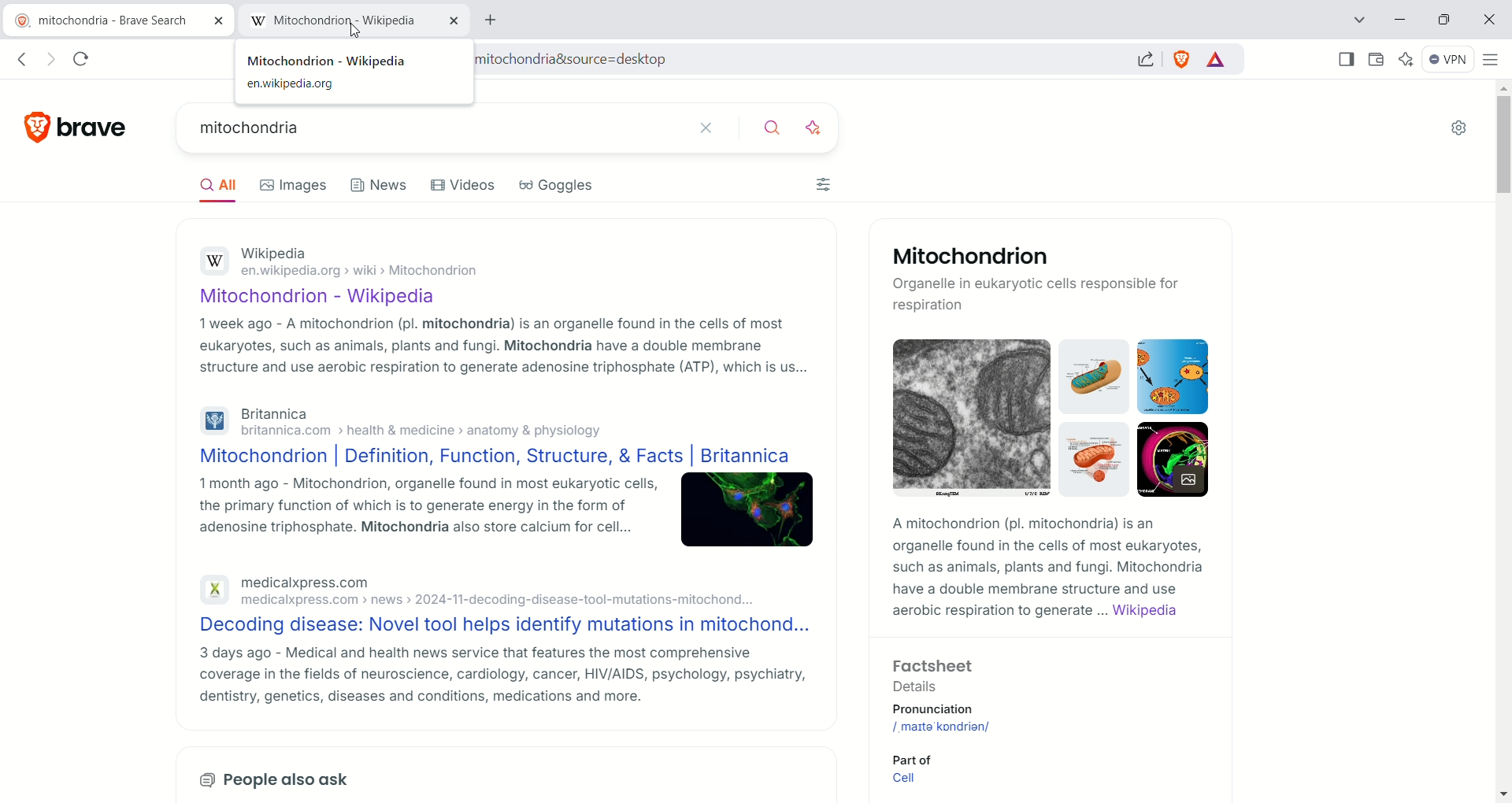  What do you see at coordinates (1146, 60) in the screenshot?
I see `share` at bounding box center [1146, 60].